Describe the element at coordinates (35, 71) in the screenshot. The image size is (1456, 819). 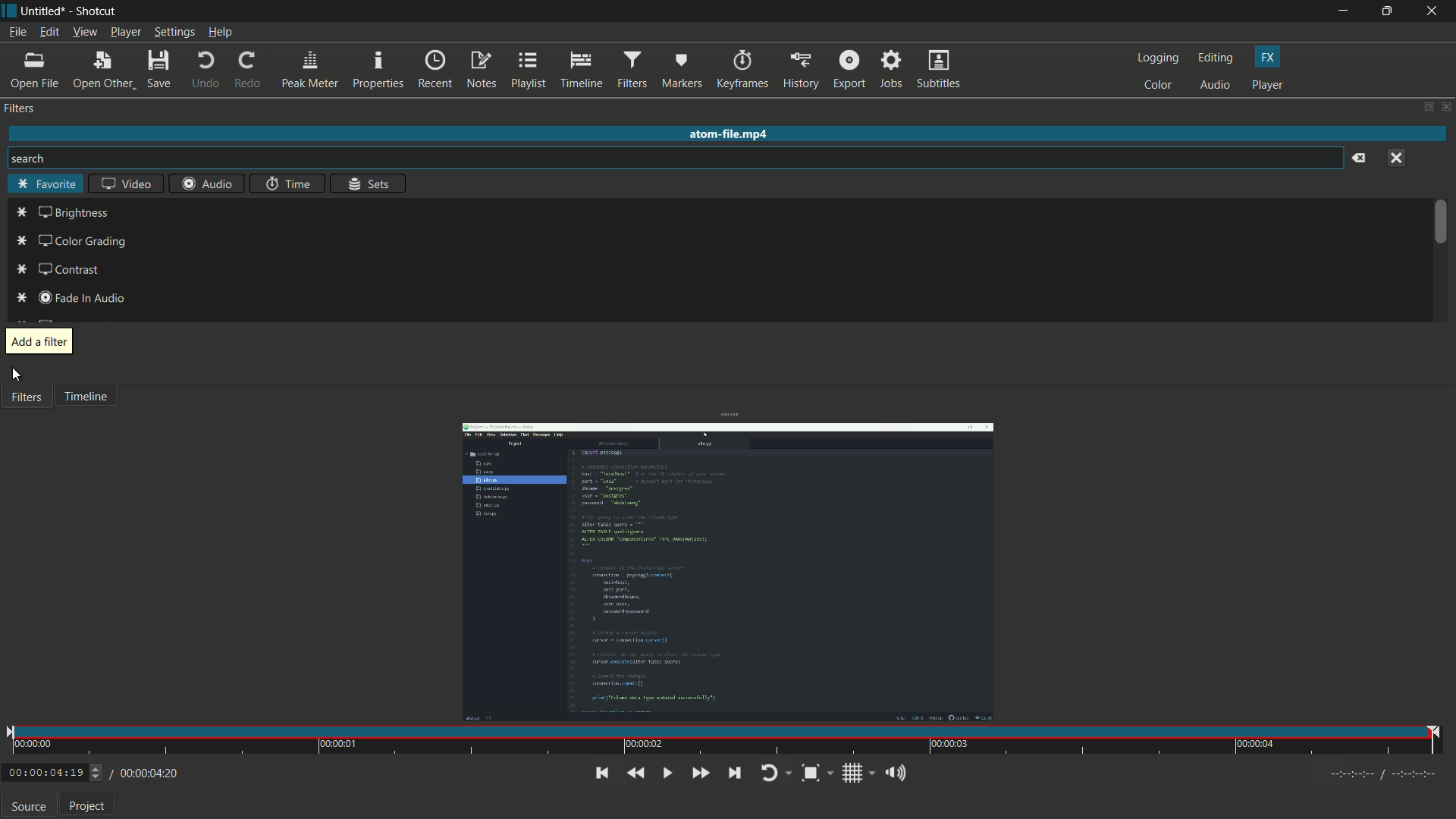
I see `open file` at that location.